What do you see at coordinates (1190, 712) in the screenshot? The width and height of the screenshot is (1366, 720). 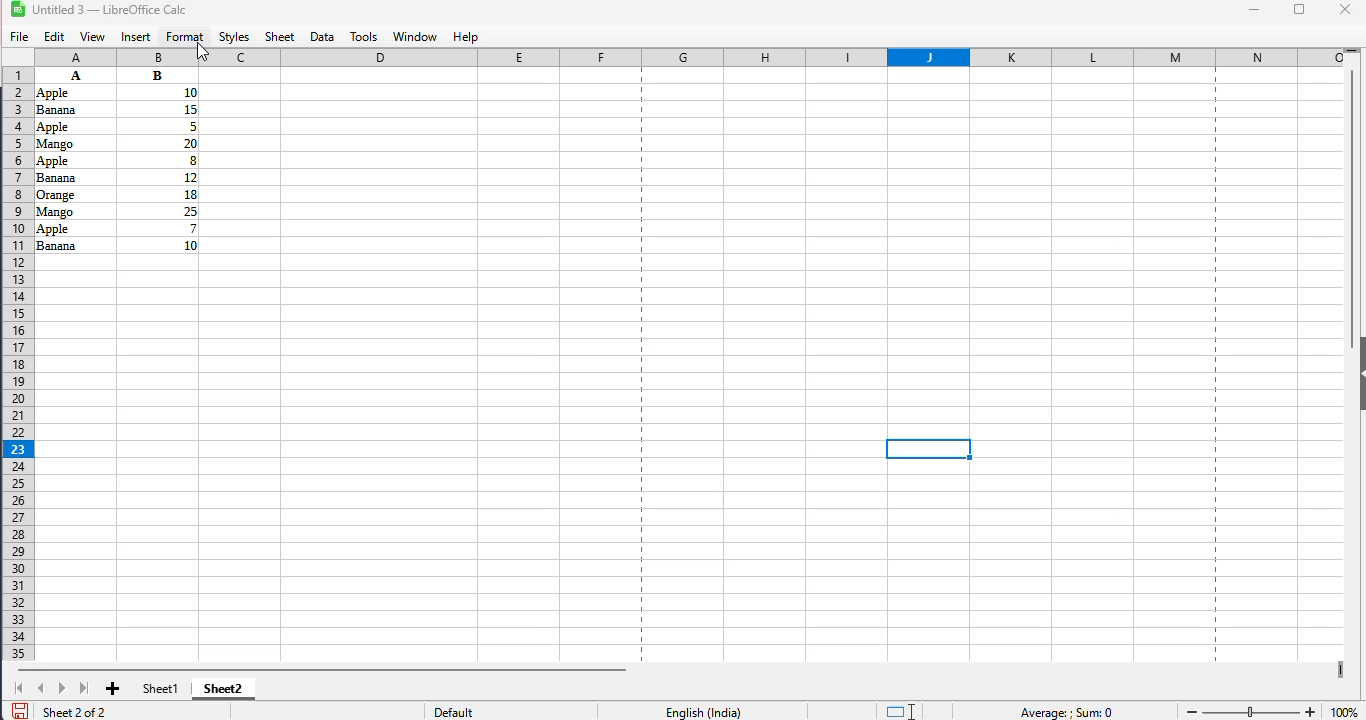 I see `zoom out` at bounding box center [1190, 712].